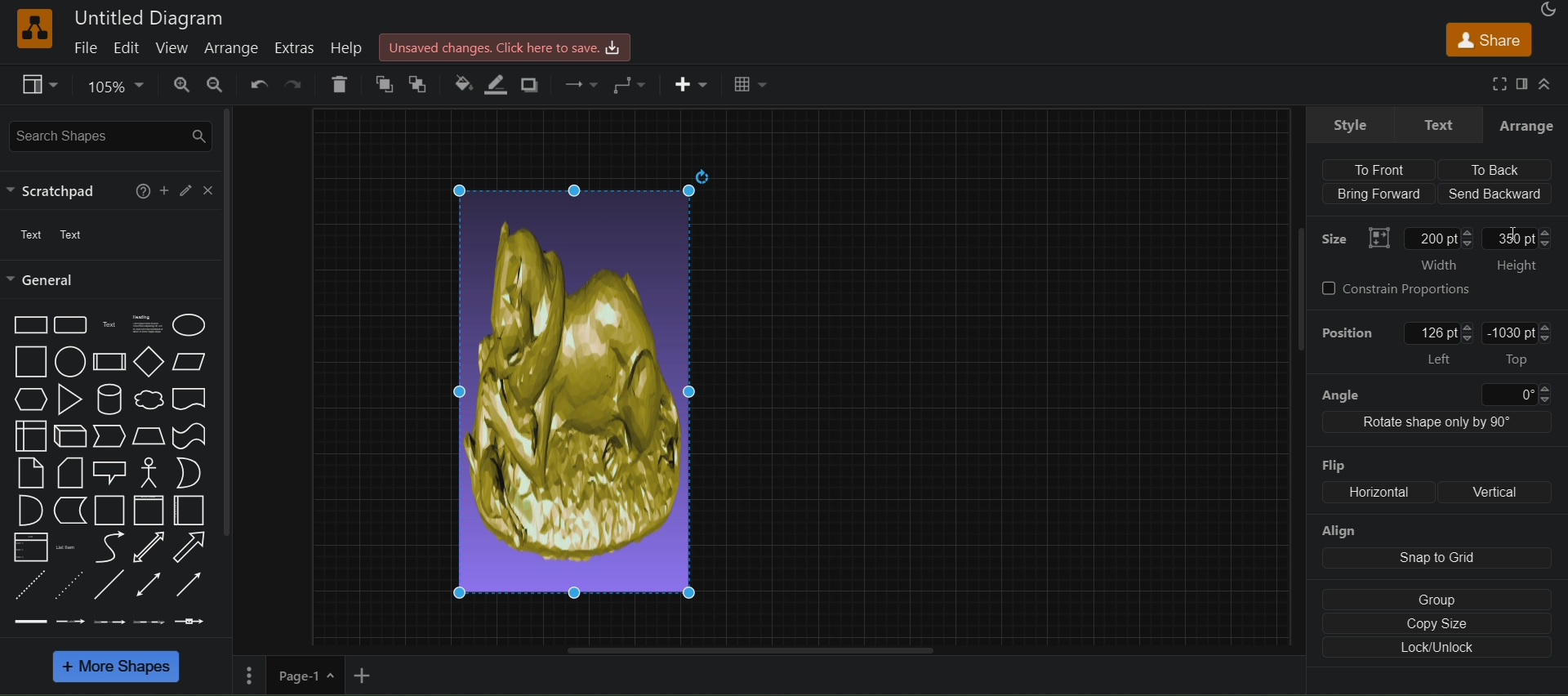 This screenshot has height=696, width=1568. What do you see at coordinates (1512, 235) in the screenshot?
I see `Text cursor` at bounding box center [1512, 235].